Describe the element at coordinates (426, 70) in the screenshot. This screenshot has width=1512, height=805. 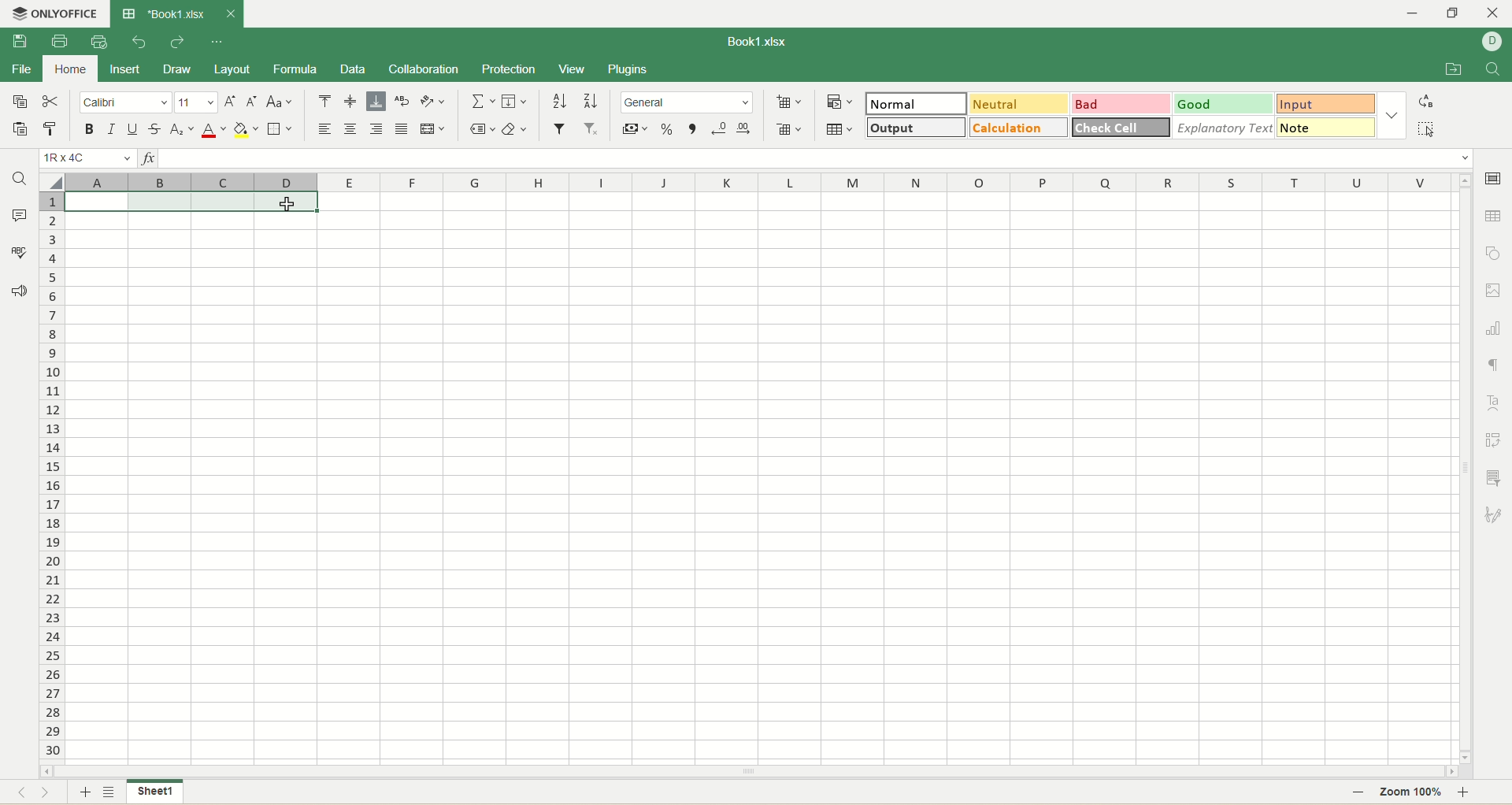
I see `collaboration` at that location.